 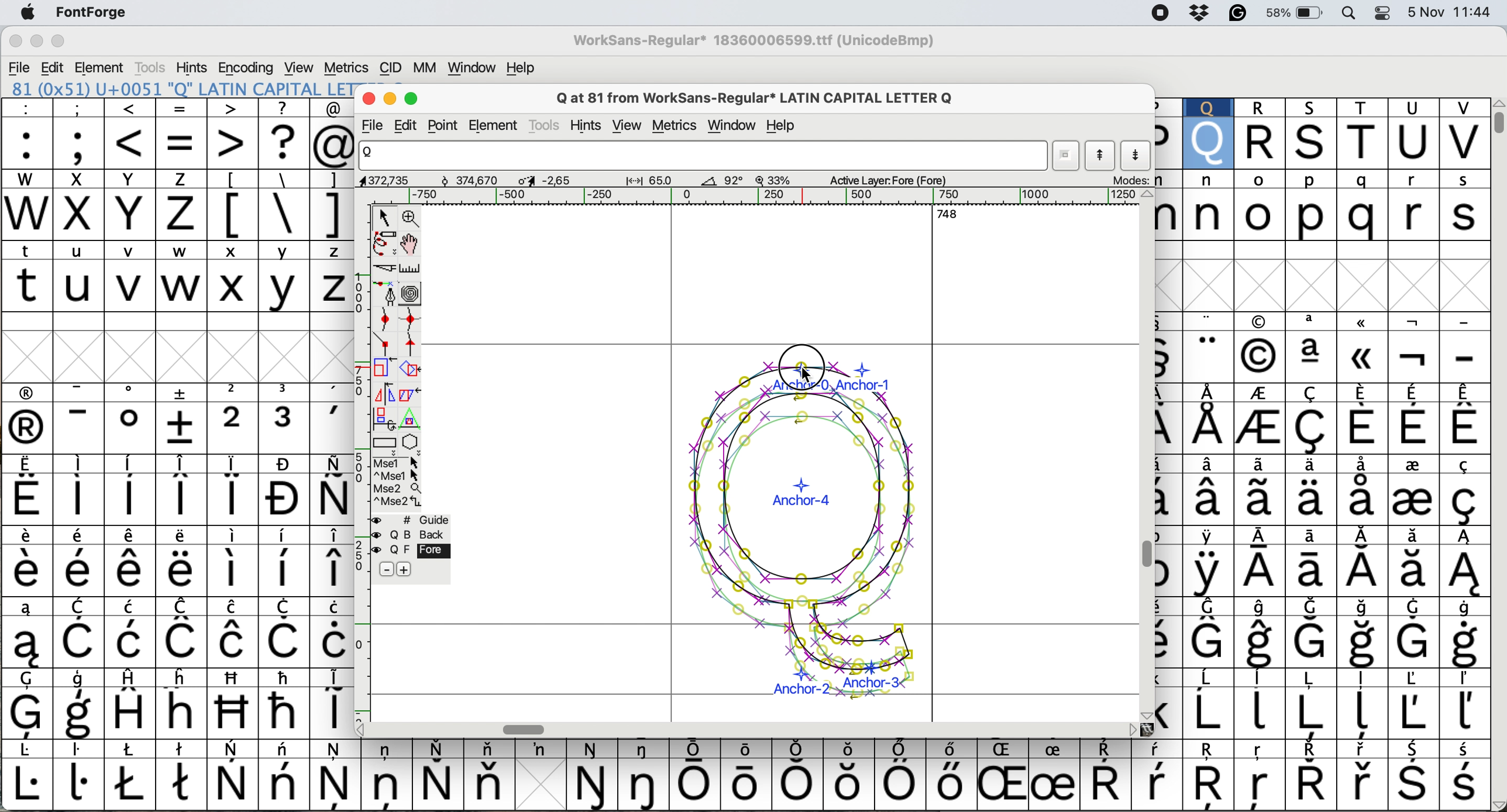 What do you see at coordinates (183, 112) in the screenshot?
I see `special characters` at bounding box center [183, 112].